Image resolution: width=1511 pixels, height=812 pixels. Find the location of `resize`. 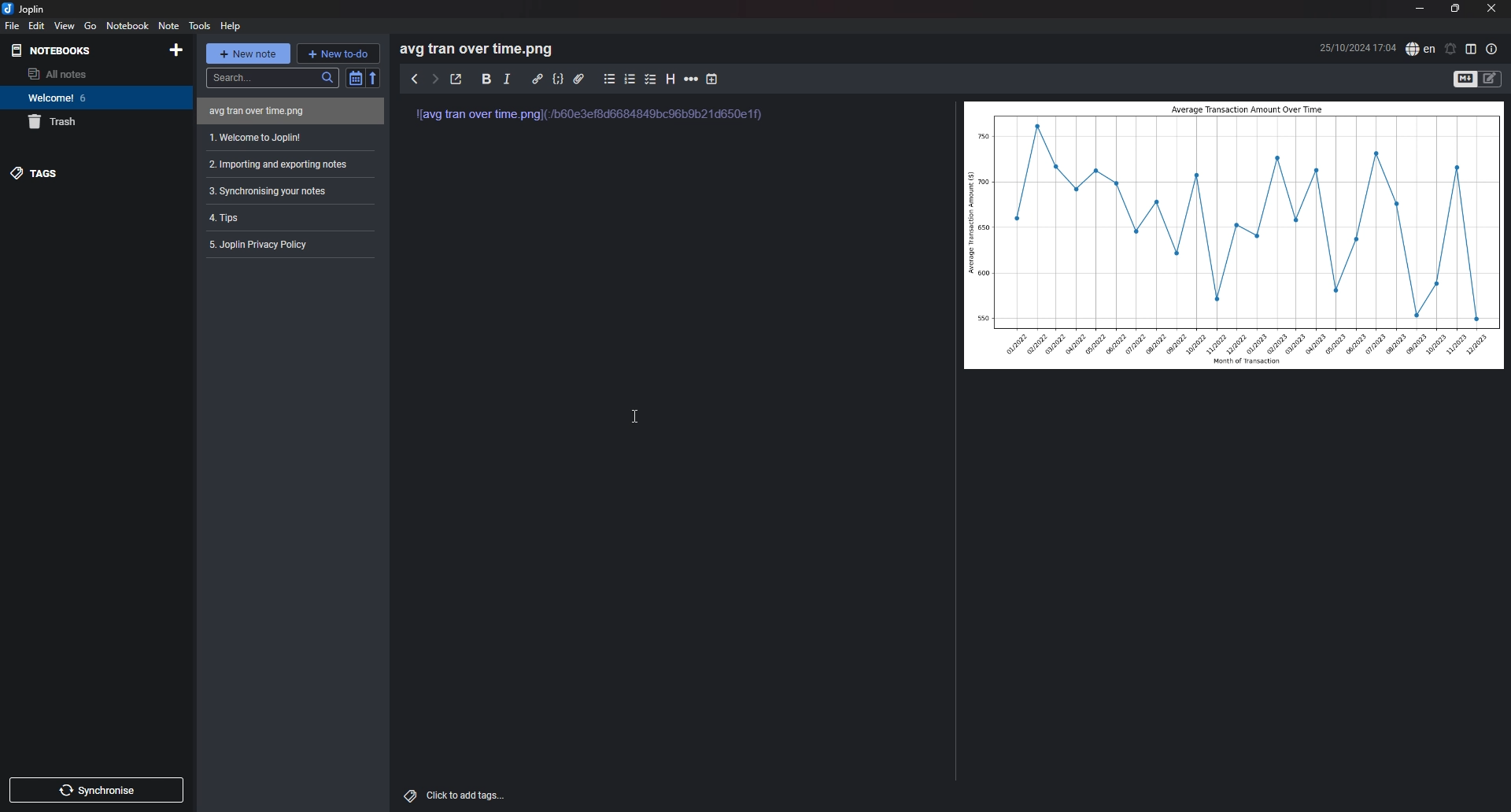

resize is located at coordinates (1456, 9).